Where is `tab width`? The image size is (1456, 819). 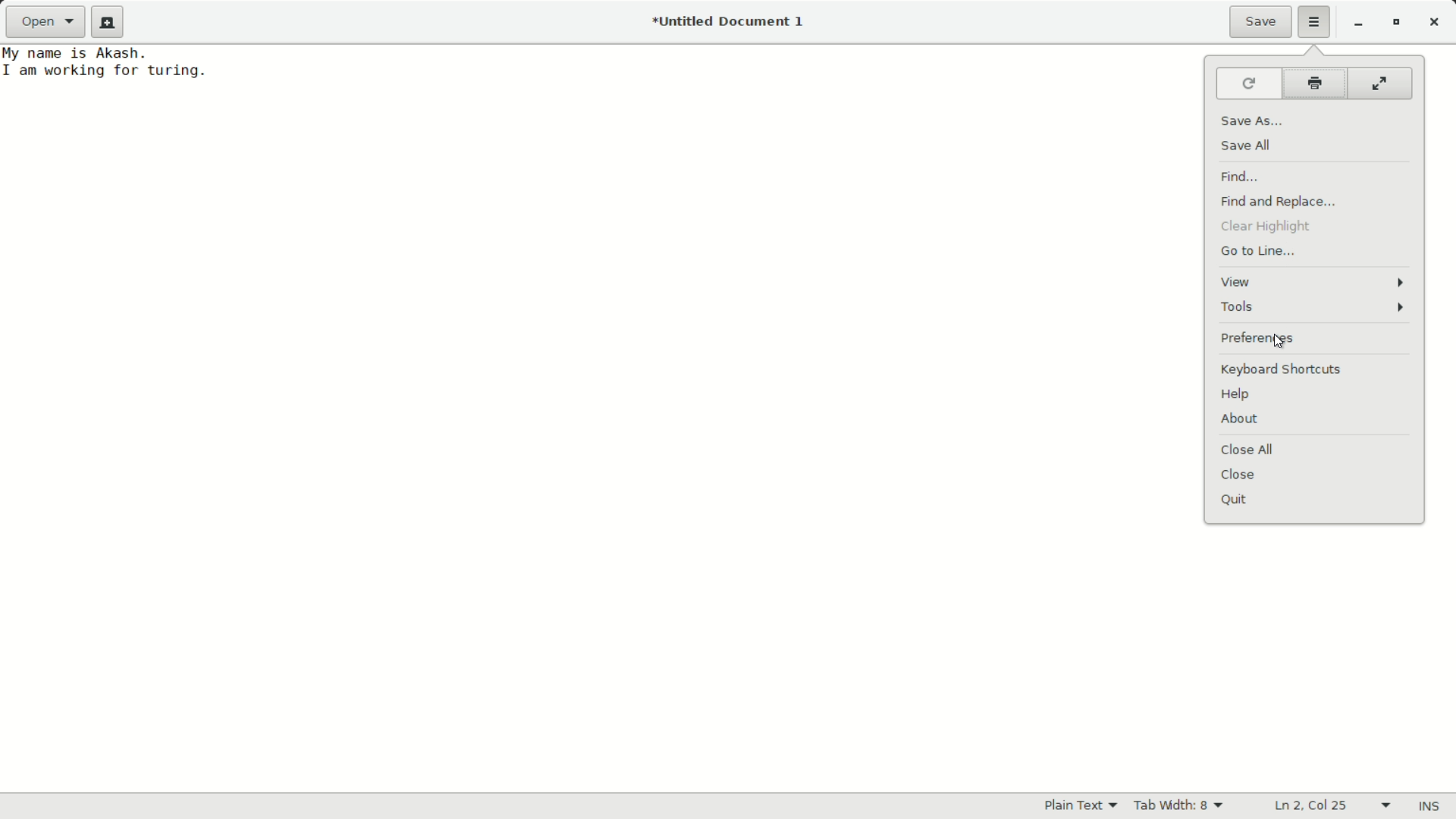 tab width is located at coordinates (1181, 805).